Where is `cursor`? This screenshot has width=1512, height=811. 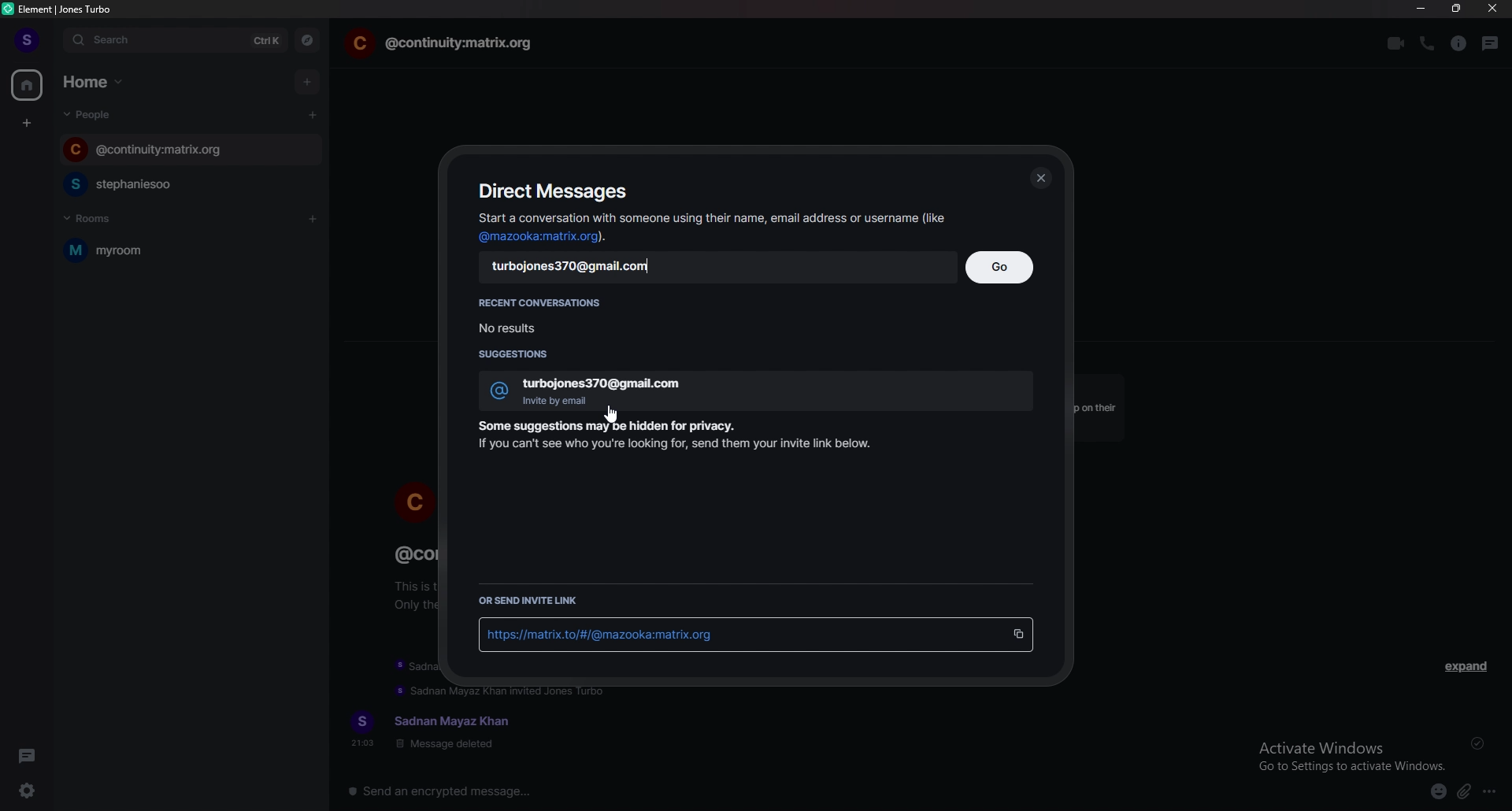 cursor is located at coordinates (611, 414).